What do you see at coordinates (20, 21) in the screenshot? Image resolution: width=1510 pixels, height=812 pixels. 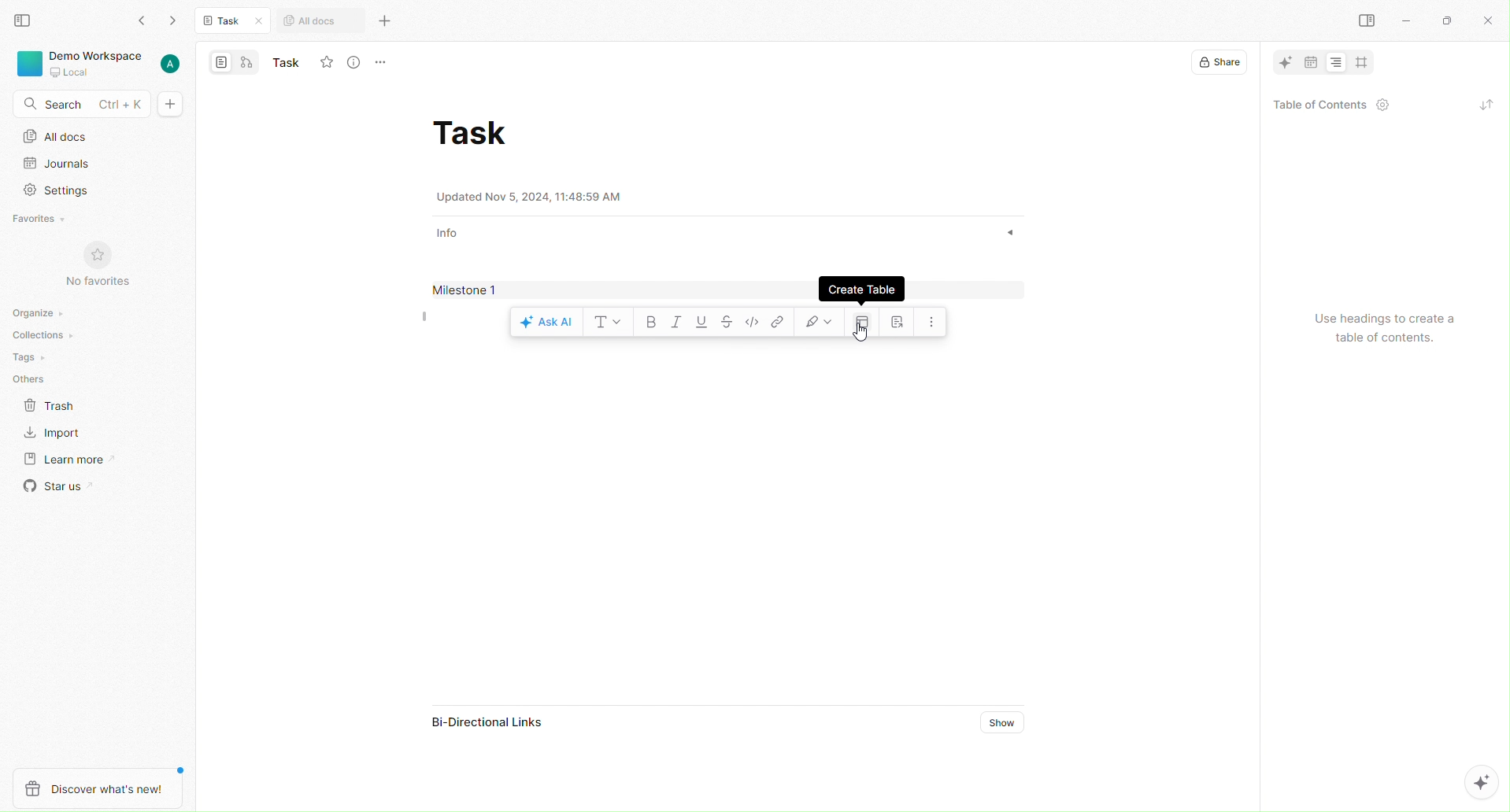 I see `View` at bounding box center [20, 21].